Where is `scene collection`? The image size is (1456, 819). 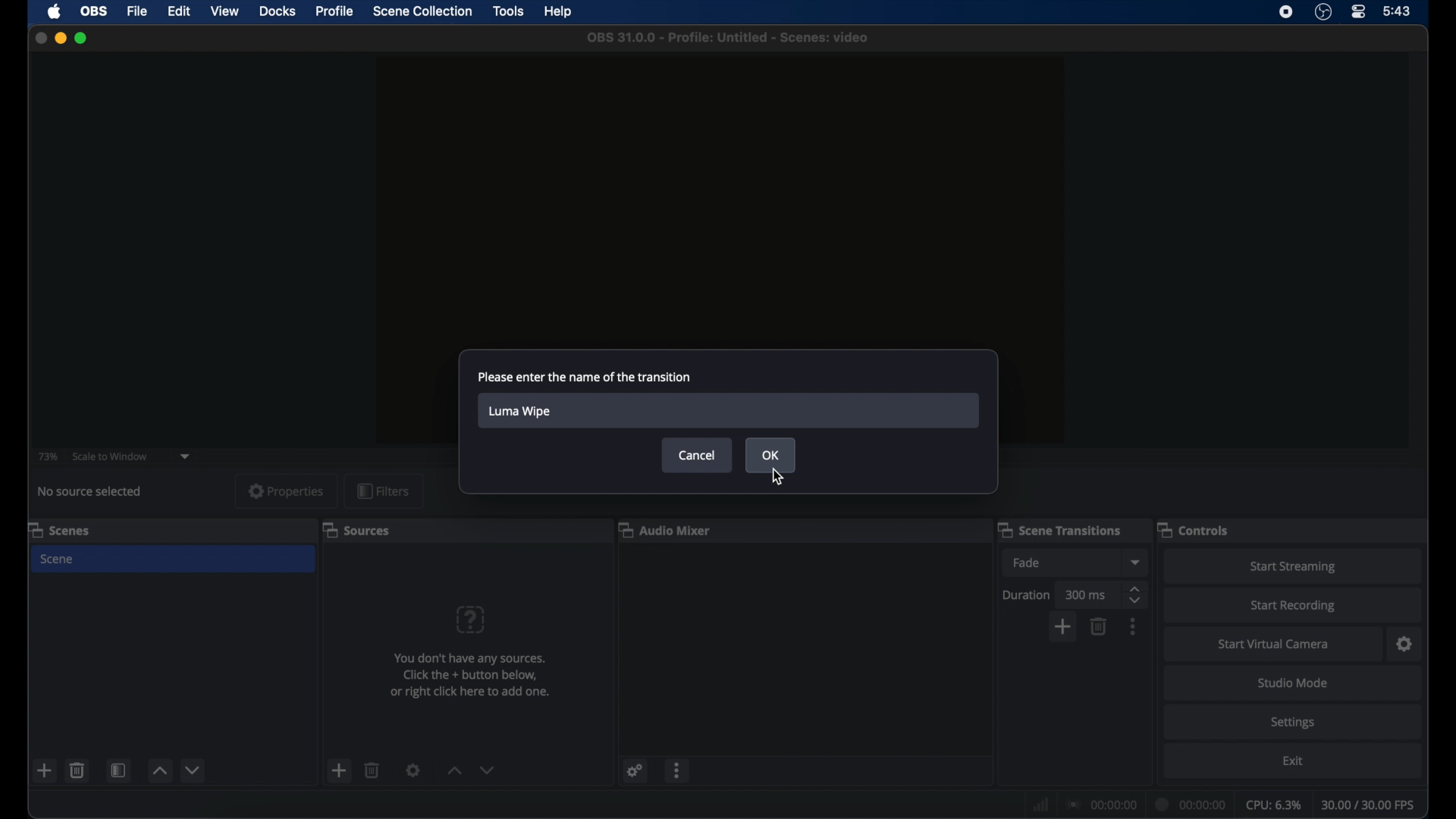 scene collection is located at coordinates (423, 11).